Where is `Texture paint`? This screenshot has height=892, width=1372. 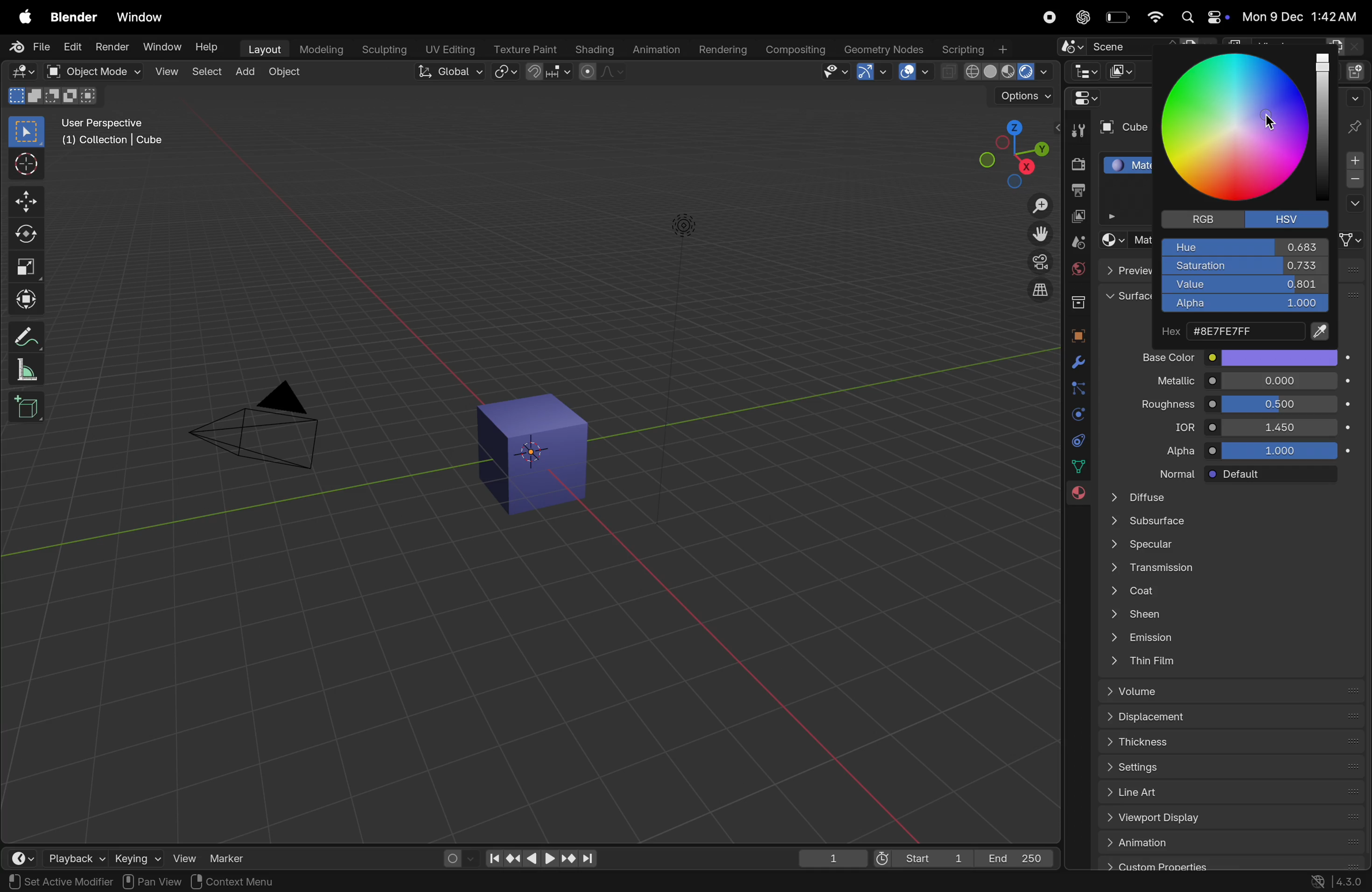
Texture paint is located at coordinates (527, 49).